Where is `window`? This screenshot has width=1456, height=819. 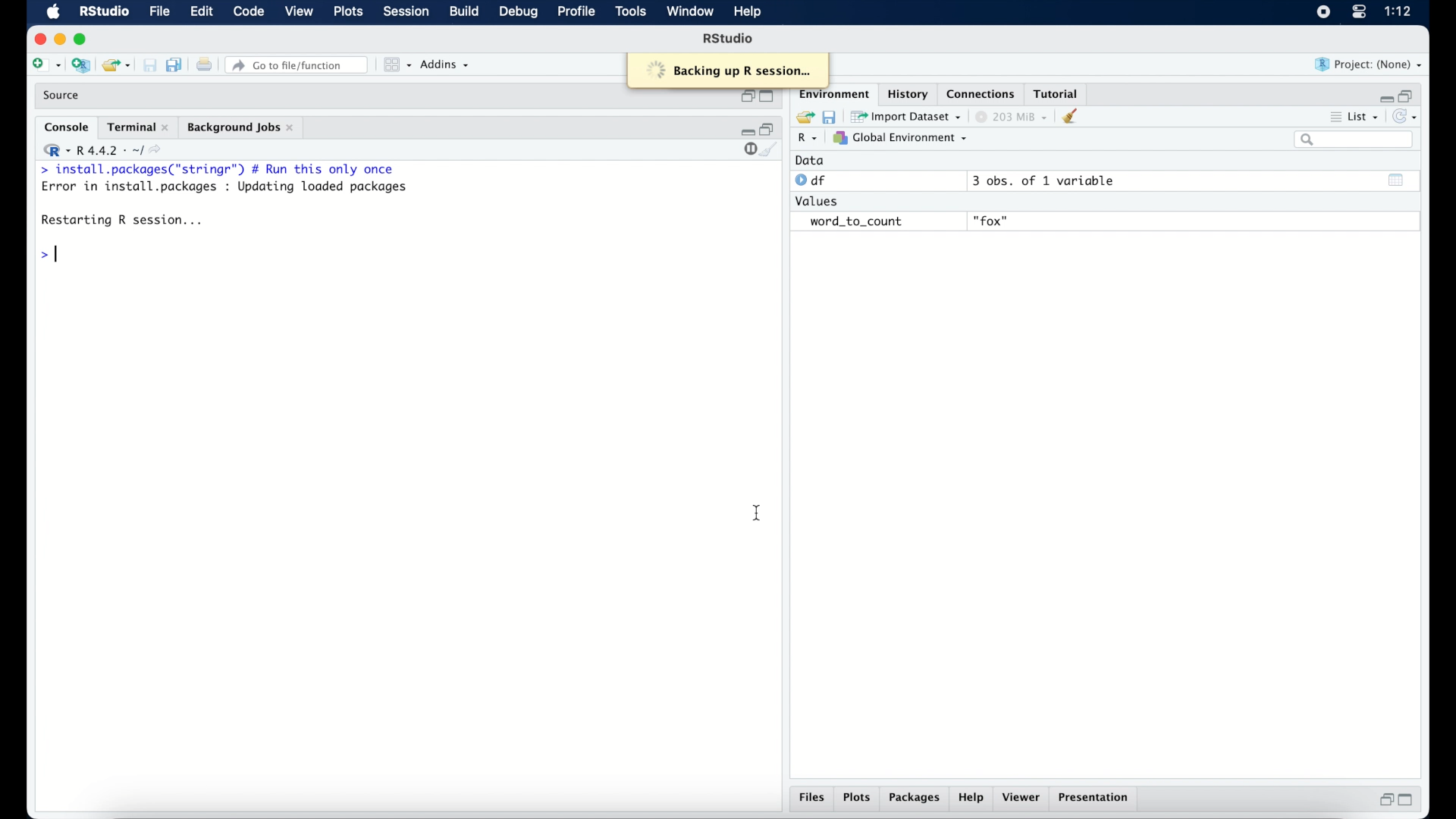 window is located at coordinates (690, 12).